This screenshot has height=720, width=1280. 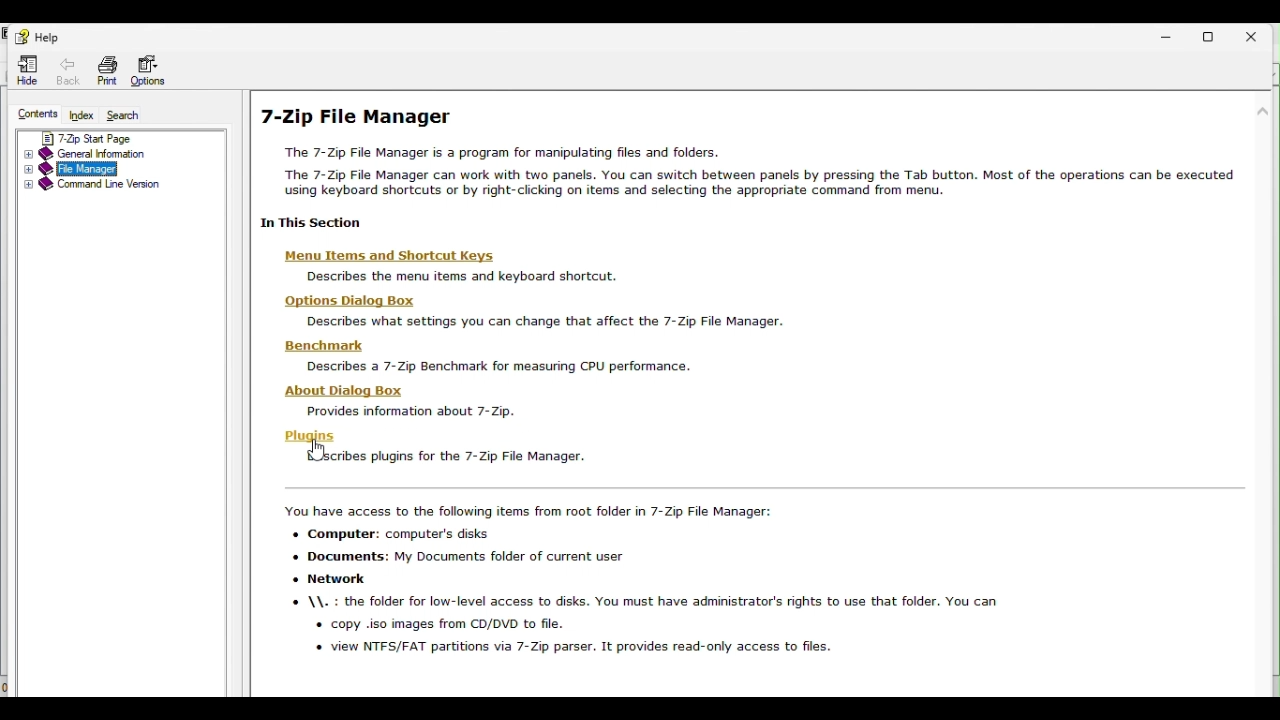 I want to click on print, so click(x=104, y=70).